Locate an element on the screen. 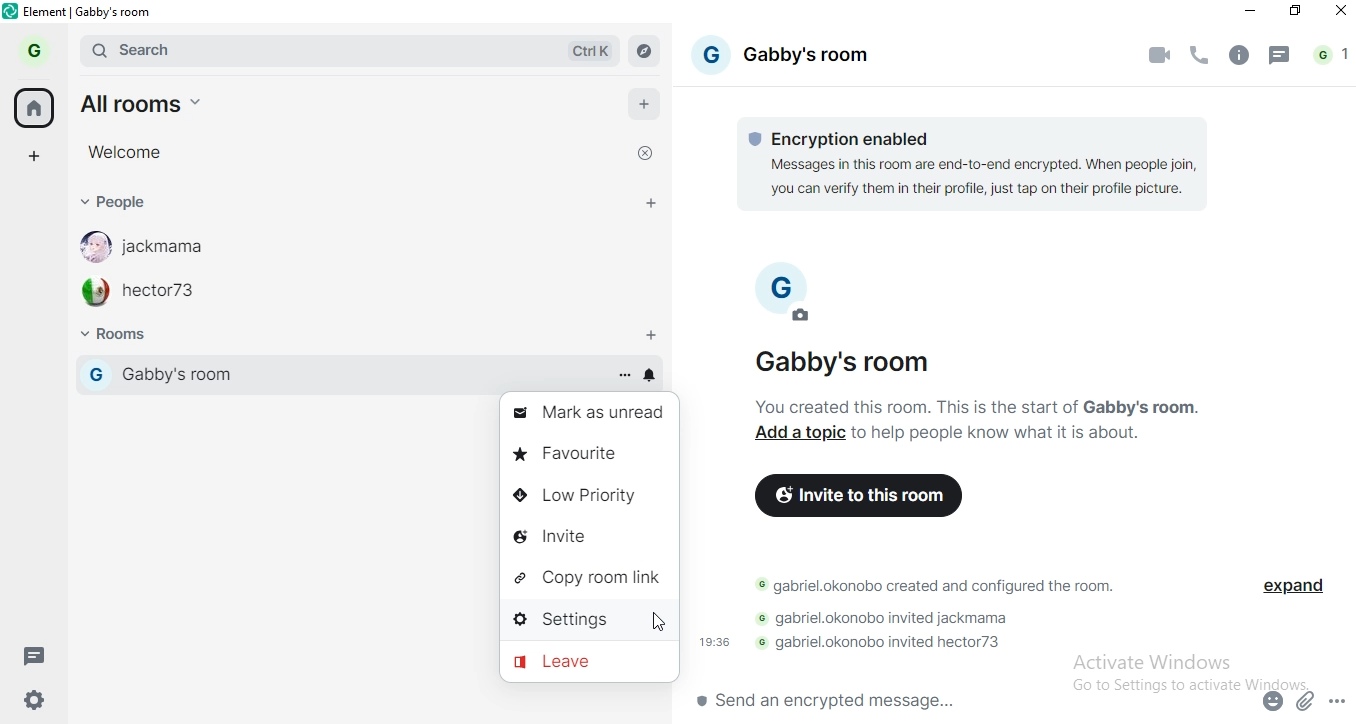  message is located at coordinates (1282, 57).